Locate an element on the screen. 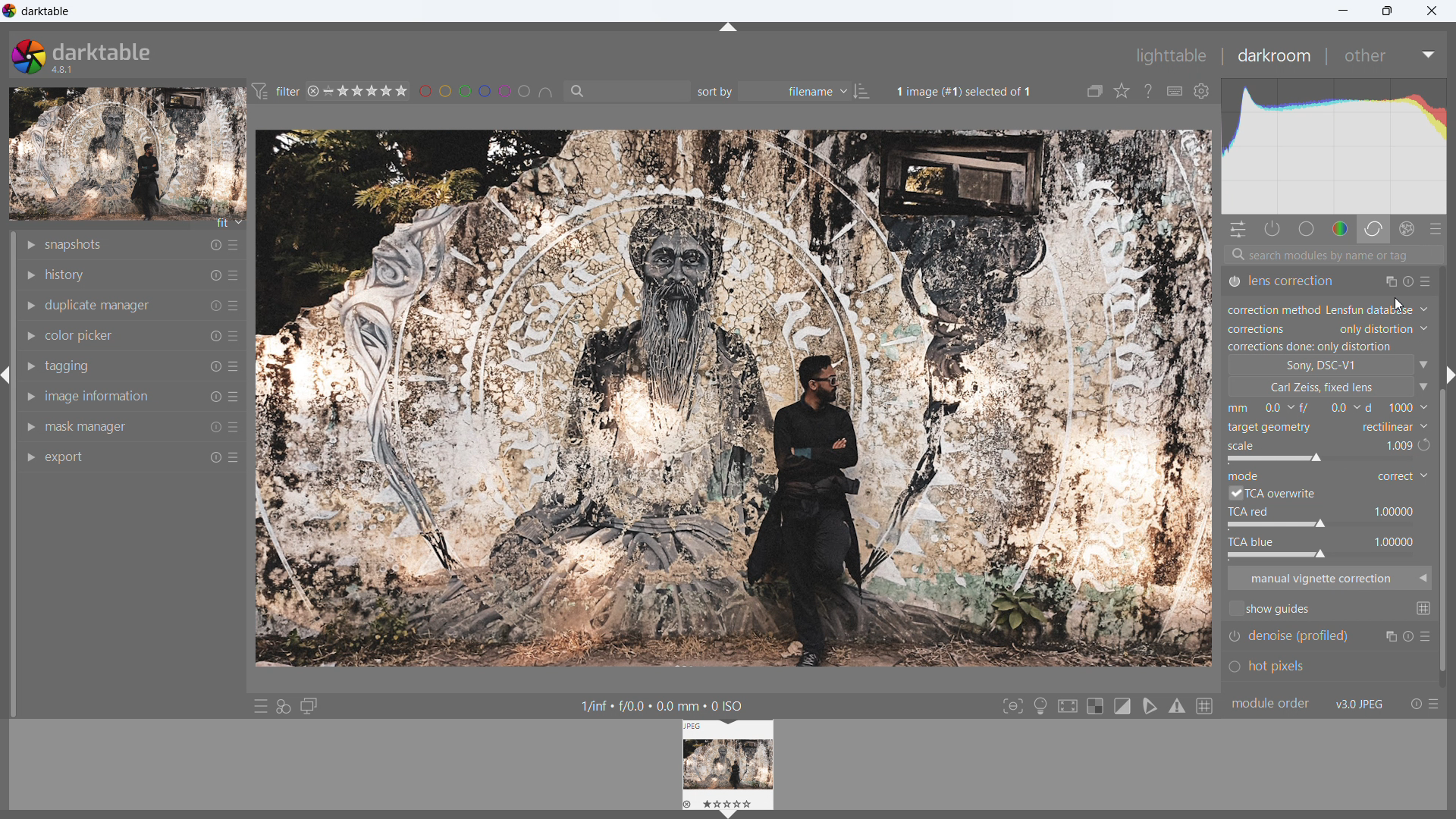  f-number is located at coordinates (1397, 409).